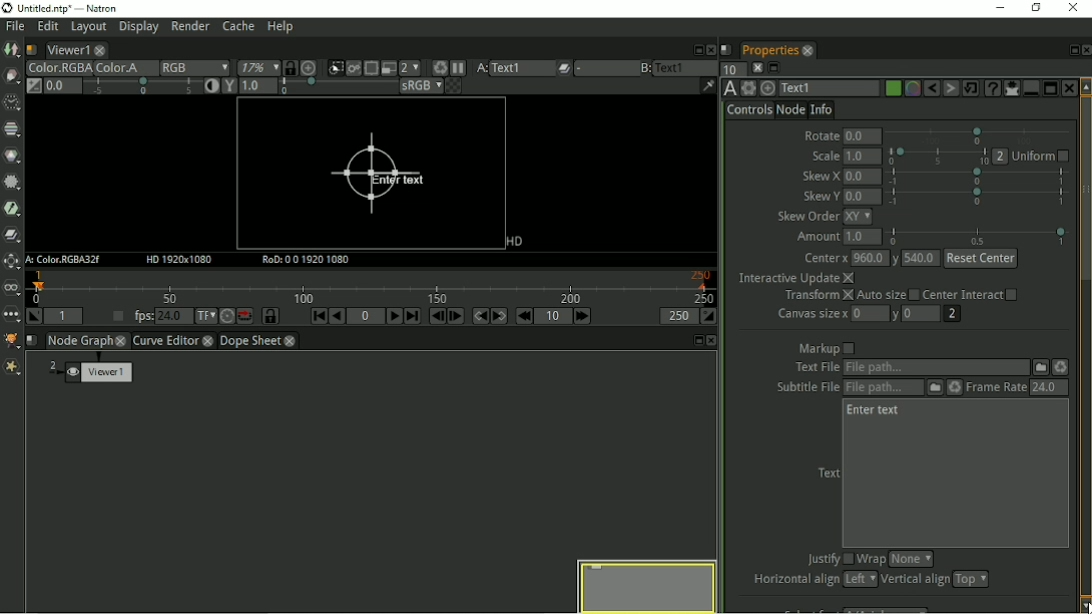  What do you see at coordinates (12, 368) in the screenshot?
I see `Extra` at bounding box center [12, 368].